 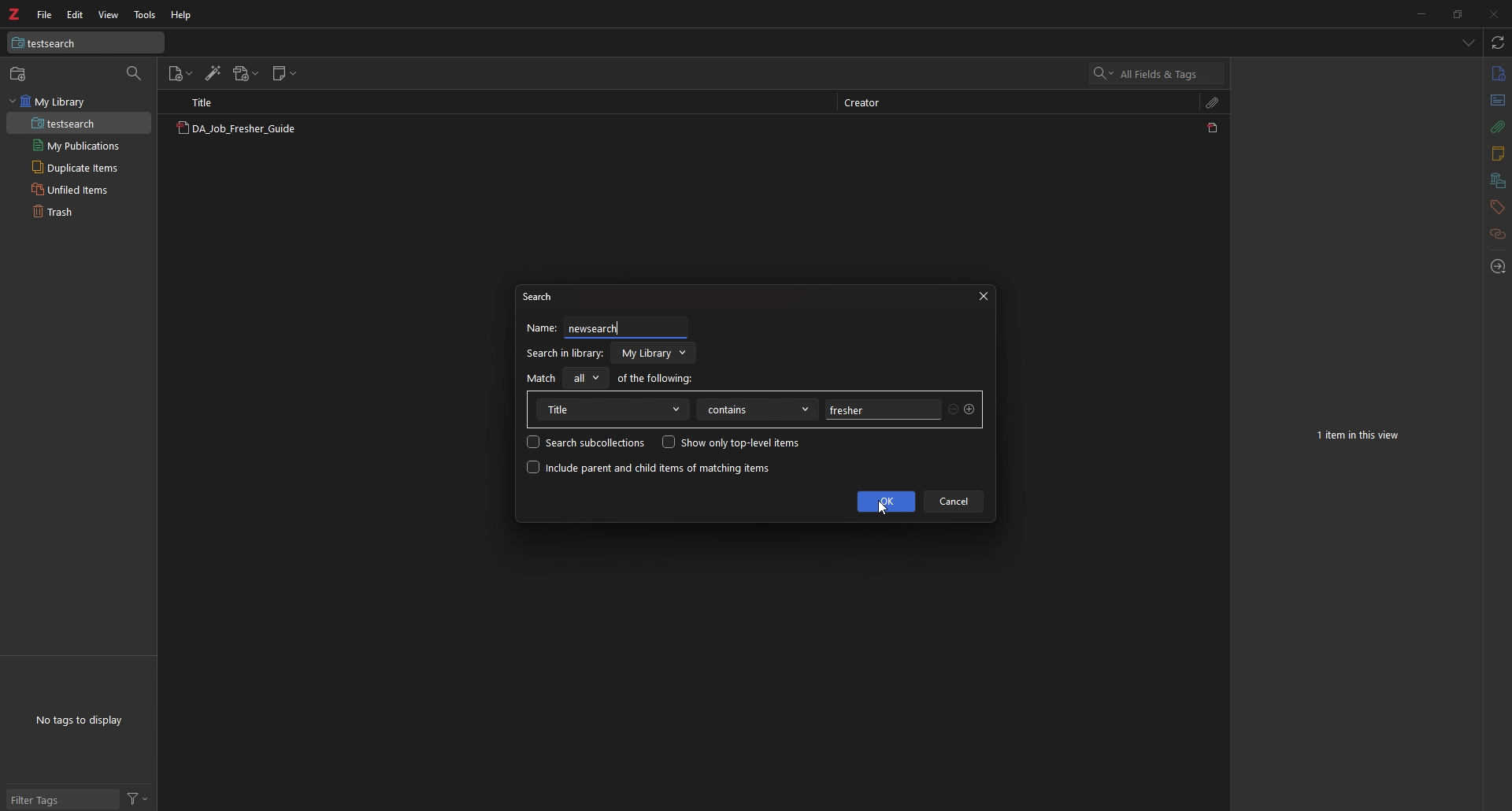 I want to click on contains, so click(x=758, y=409).